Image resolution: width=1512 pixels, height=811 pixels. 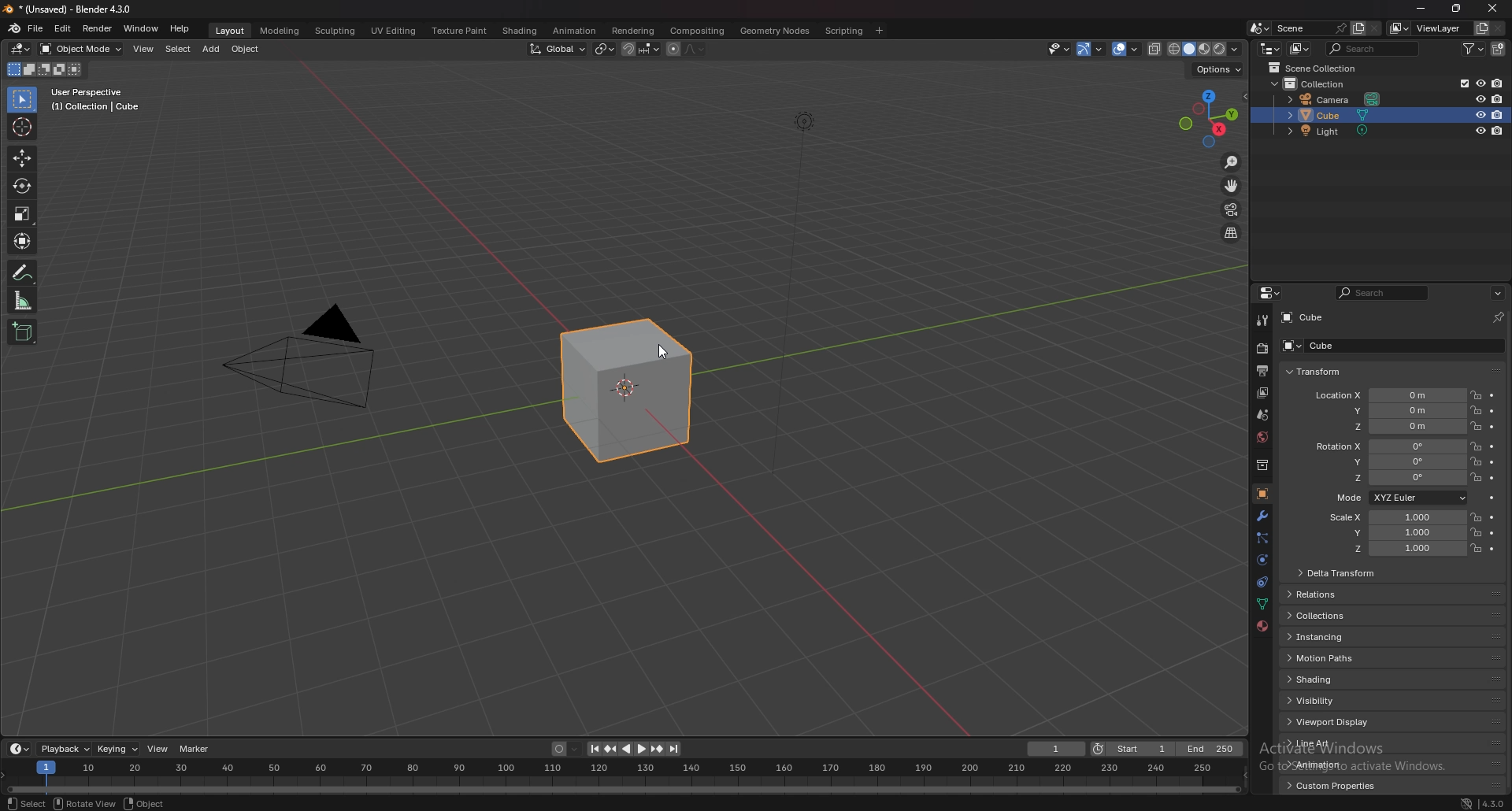 I want to click on collection, so click(x=1317, y=83).